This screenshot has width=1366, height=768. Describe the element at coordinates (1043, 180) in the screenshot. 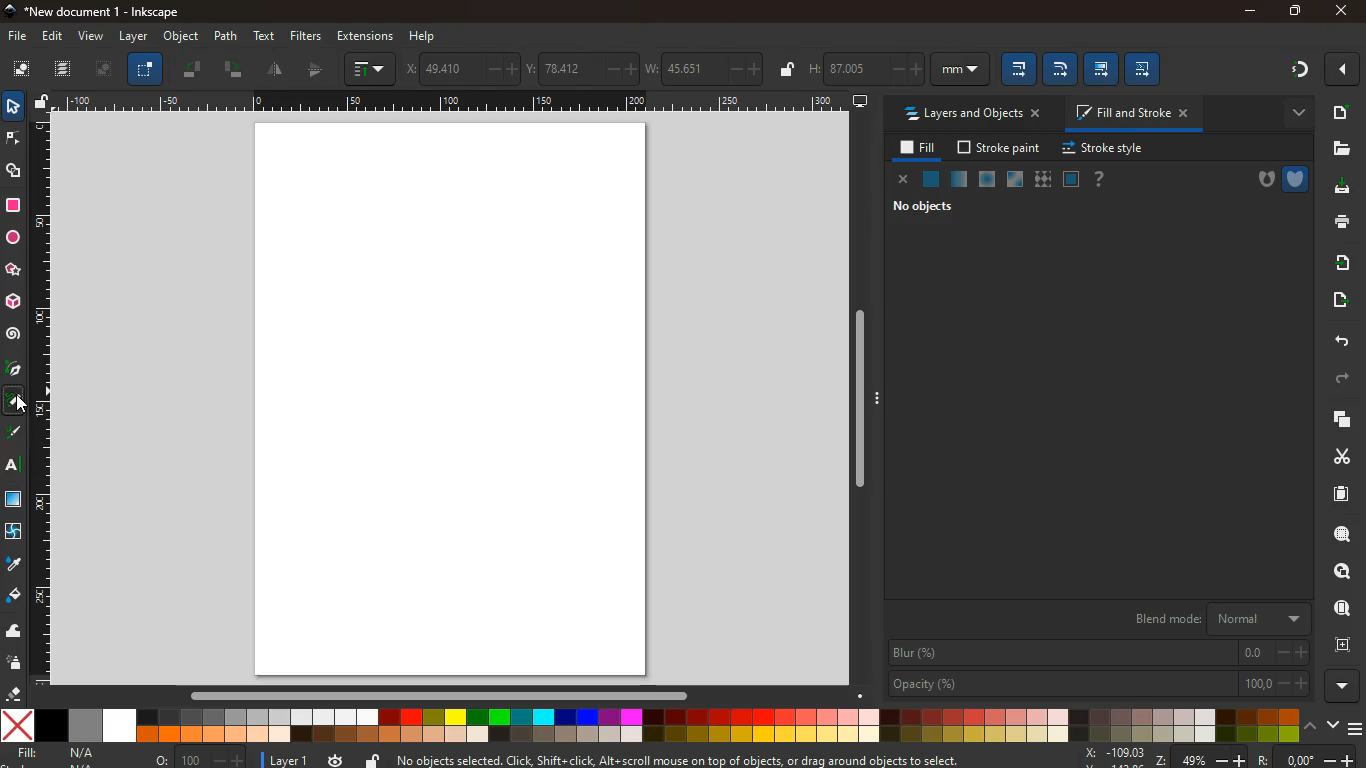

I see `texture` at that location.